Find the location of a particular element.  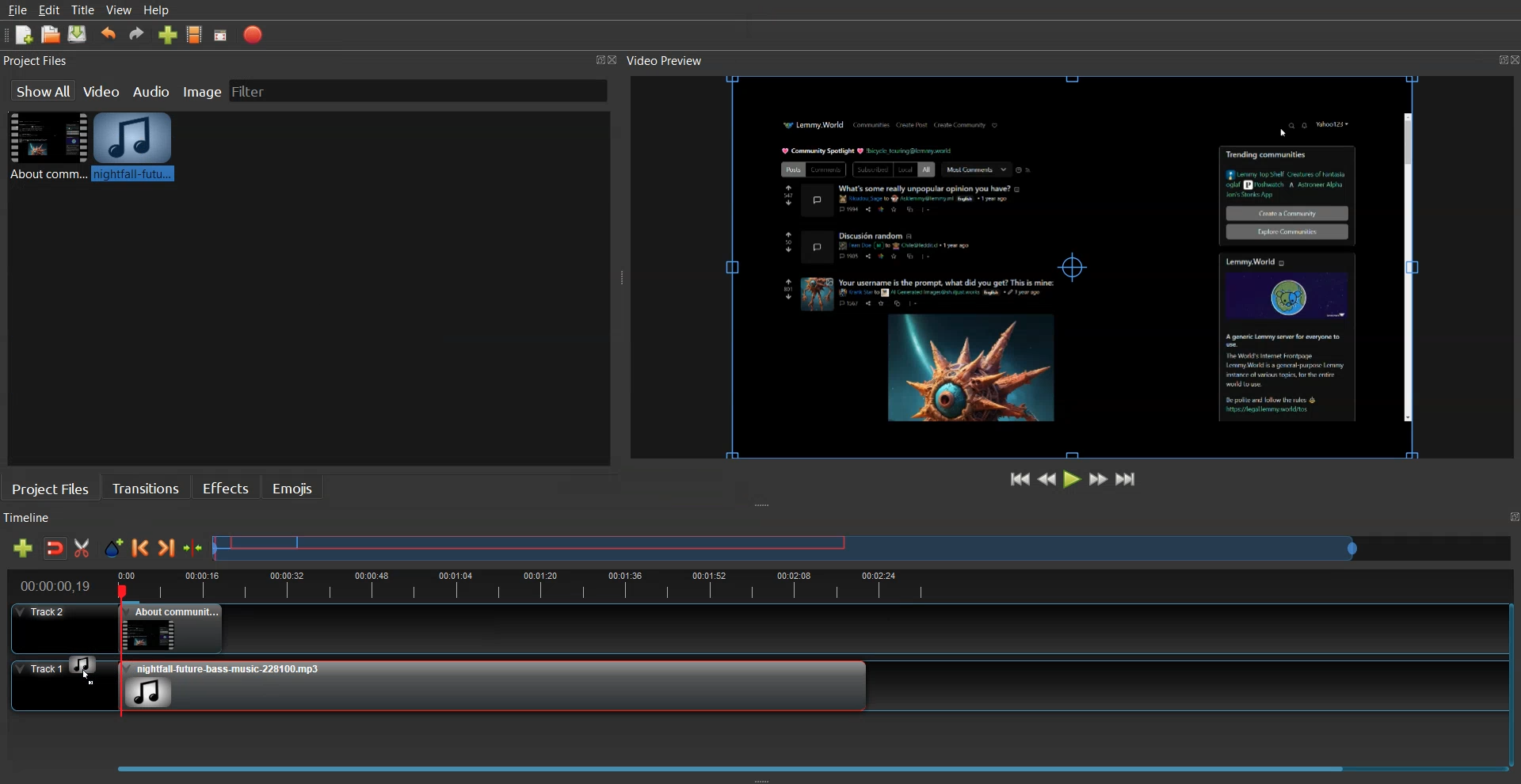

Disable snaping is located at coordinates (55, 548).